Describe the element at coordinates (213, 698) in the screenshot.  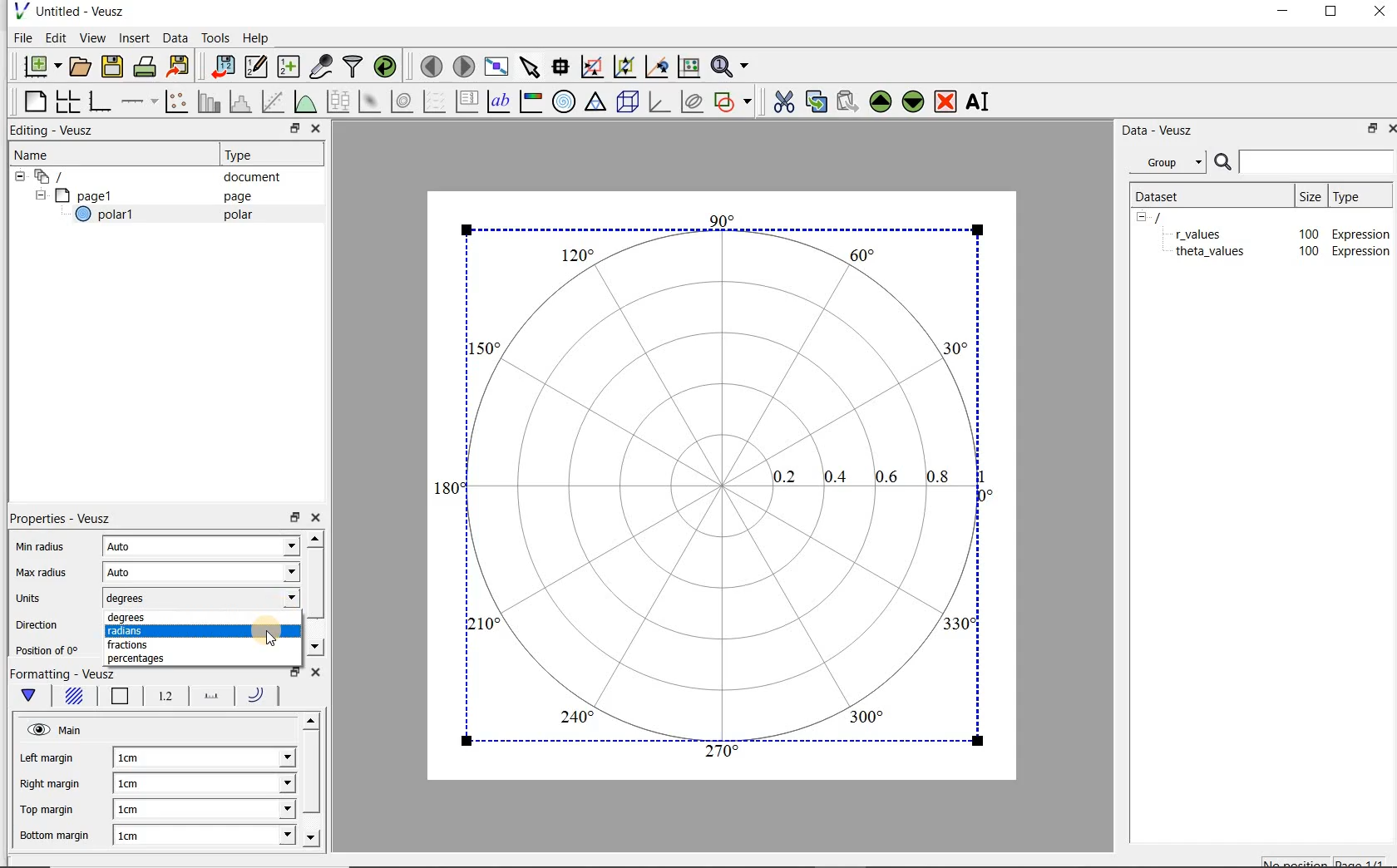
I see `Spoke line` at that location.